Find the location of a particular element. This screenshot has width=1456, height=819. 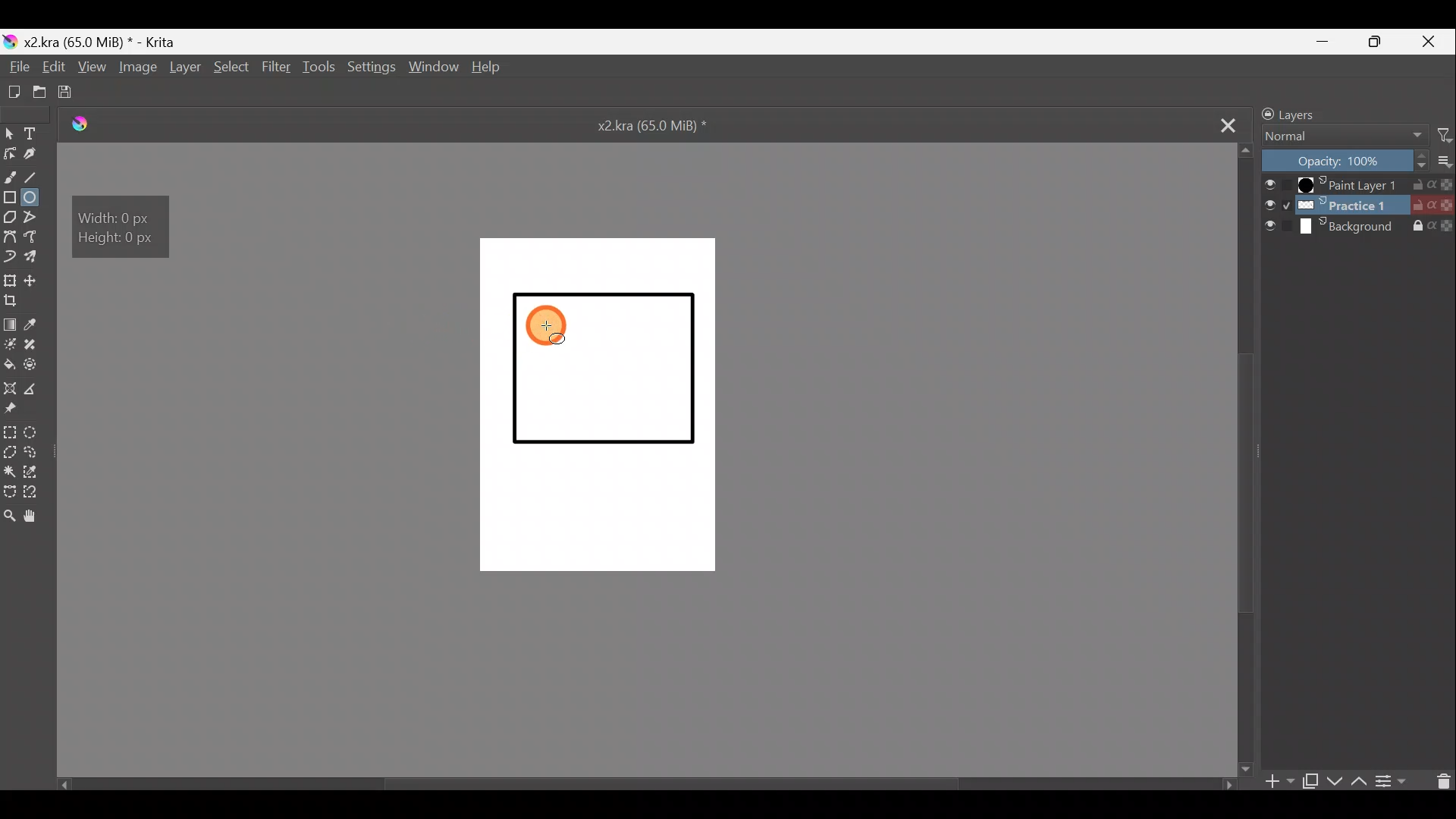

Pan tool is located at coordinates (39, 516).